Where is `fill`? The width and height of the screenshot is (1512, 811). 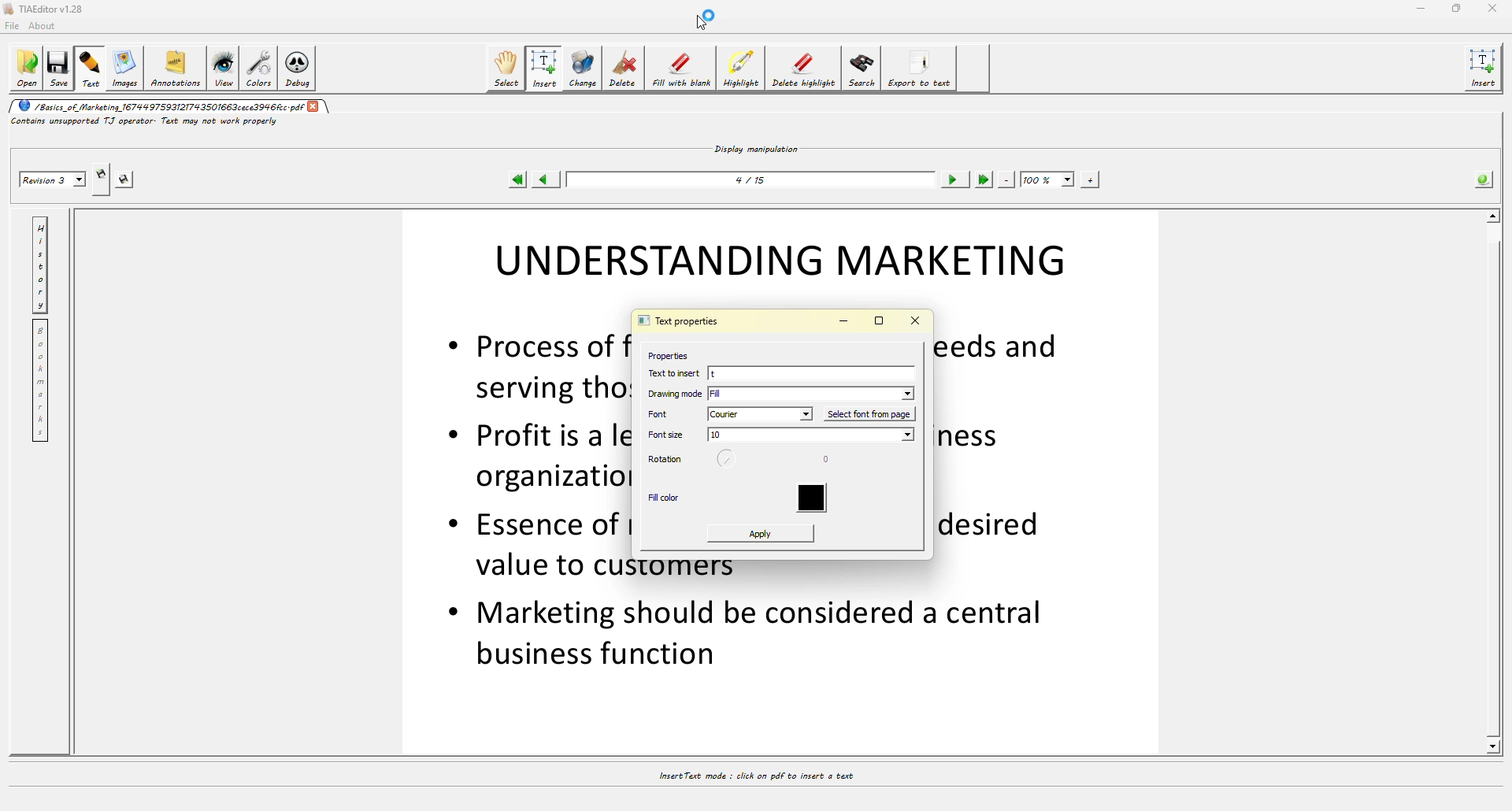
fill is located at coordinates (813, 393).